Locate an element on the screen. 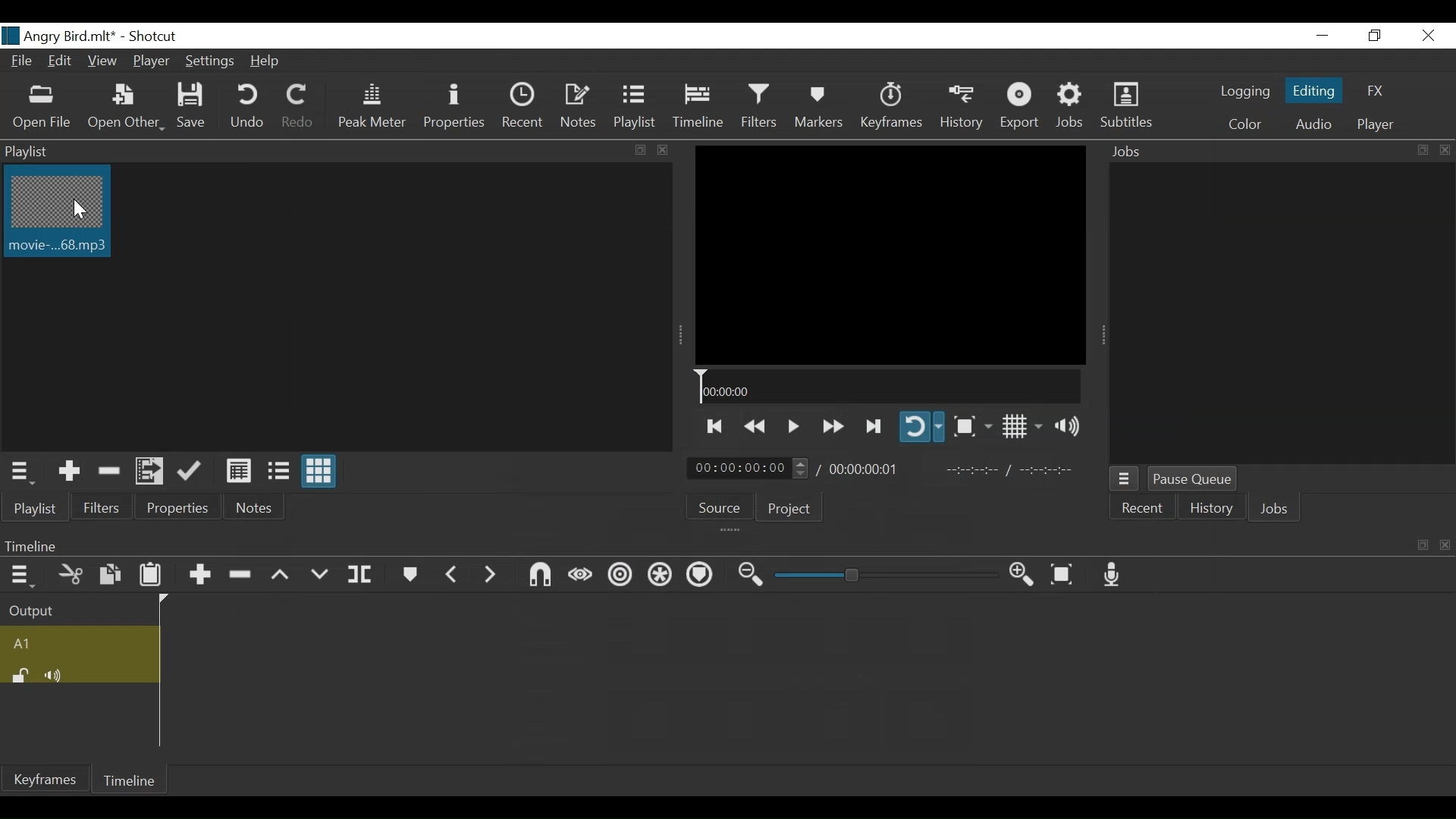  Jobs is located at coordinates (1278, 510).